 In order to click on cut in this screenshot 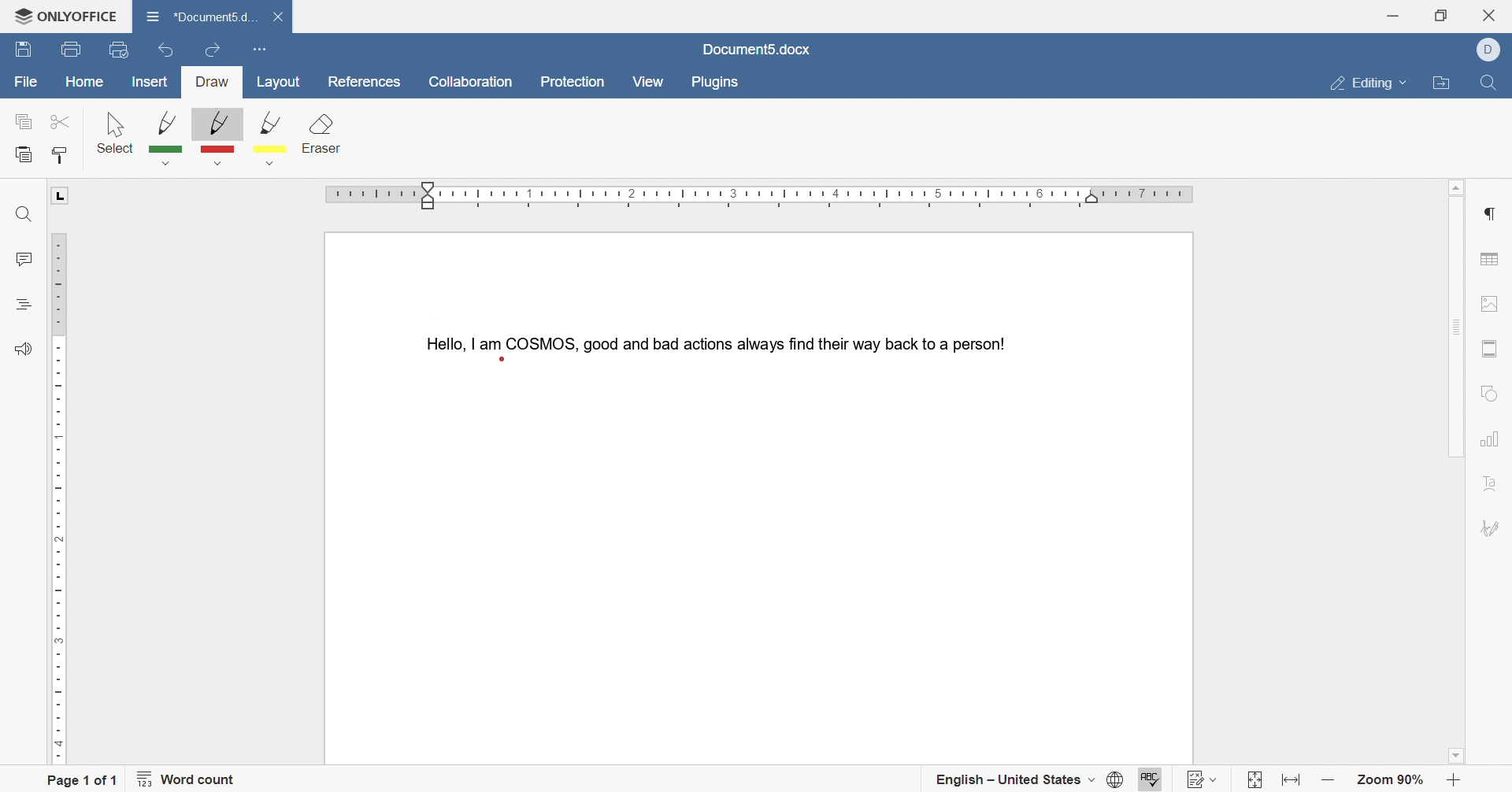, I will do `click(57, 120)`.